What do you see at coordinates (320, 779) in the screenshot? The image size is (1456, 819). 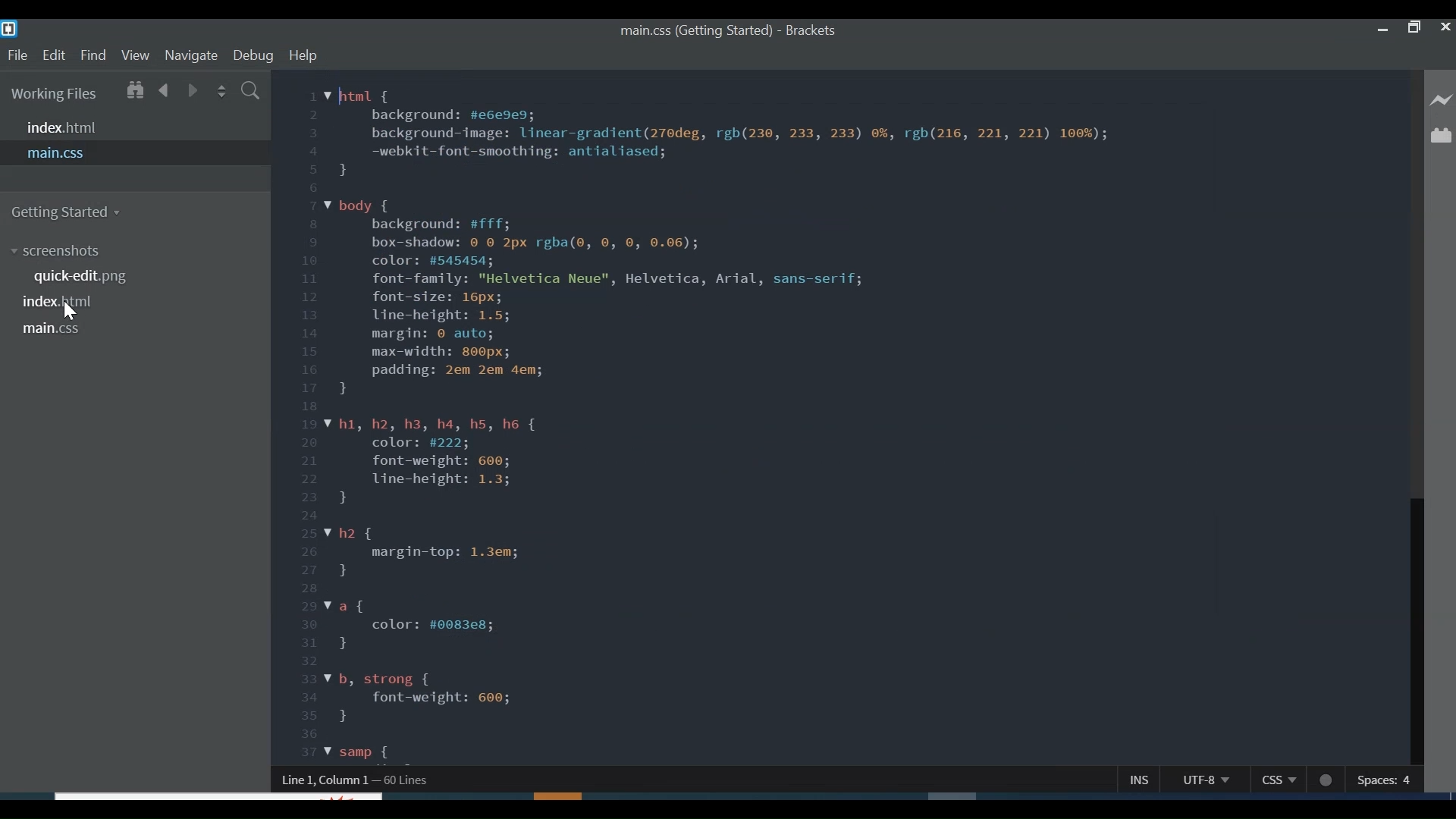 I see `Line, Column Preference` at bounding box center [320, 779].